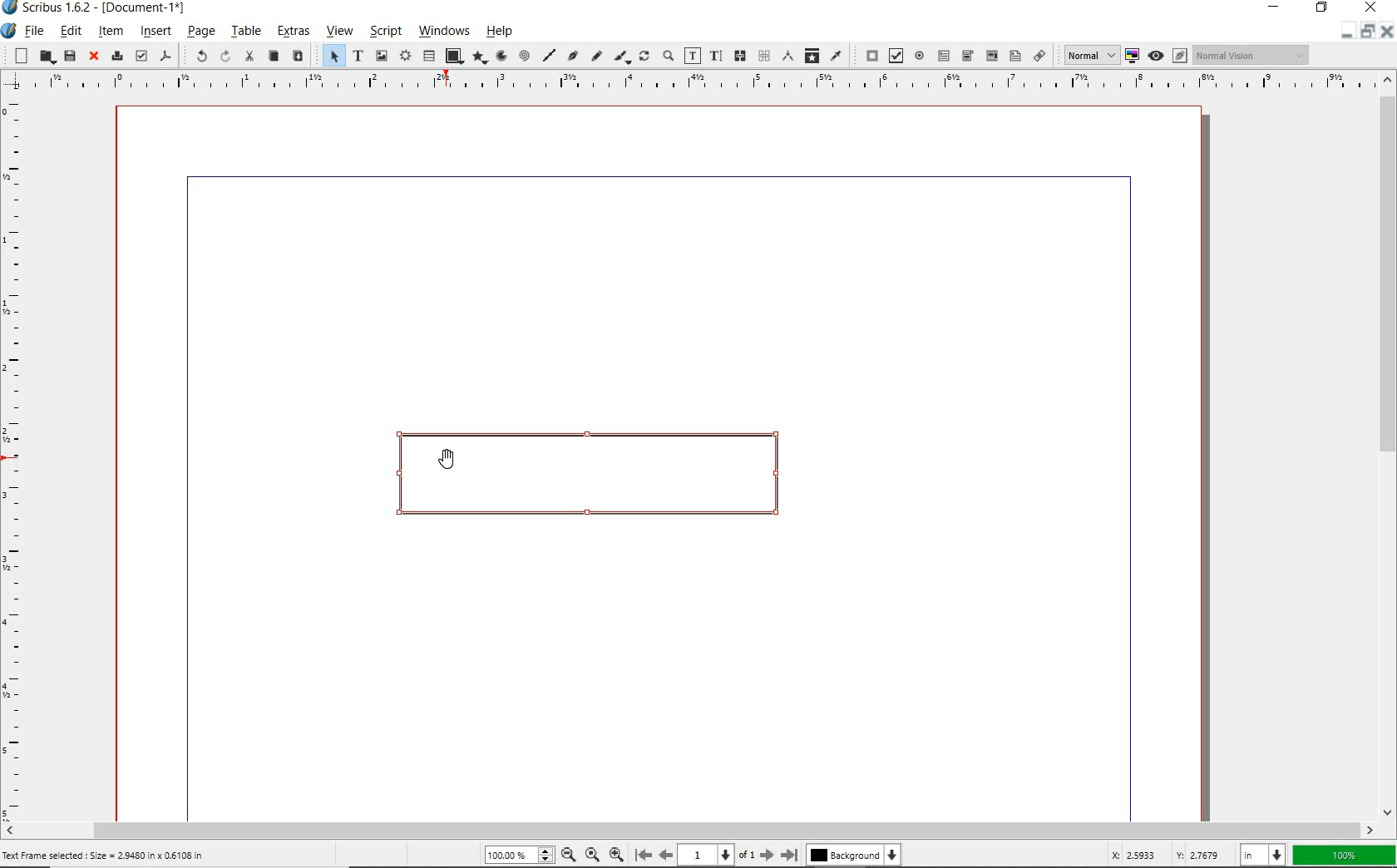 The height and width of the screenshot is (868, 1397). Describe the element at coordinates (1345, 856) in the screenshot. I see `100%` at that location.